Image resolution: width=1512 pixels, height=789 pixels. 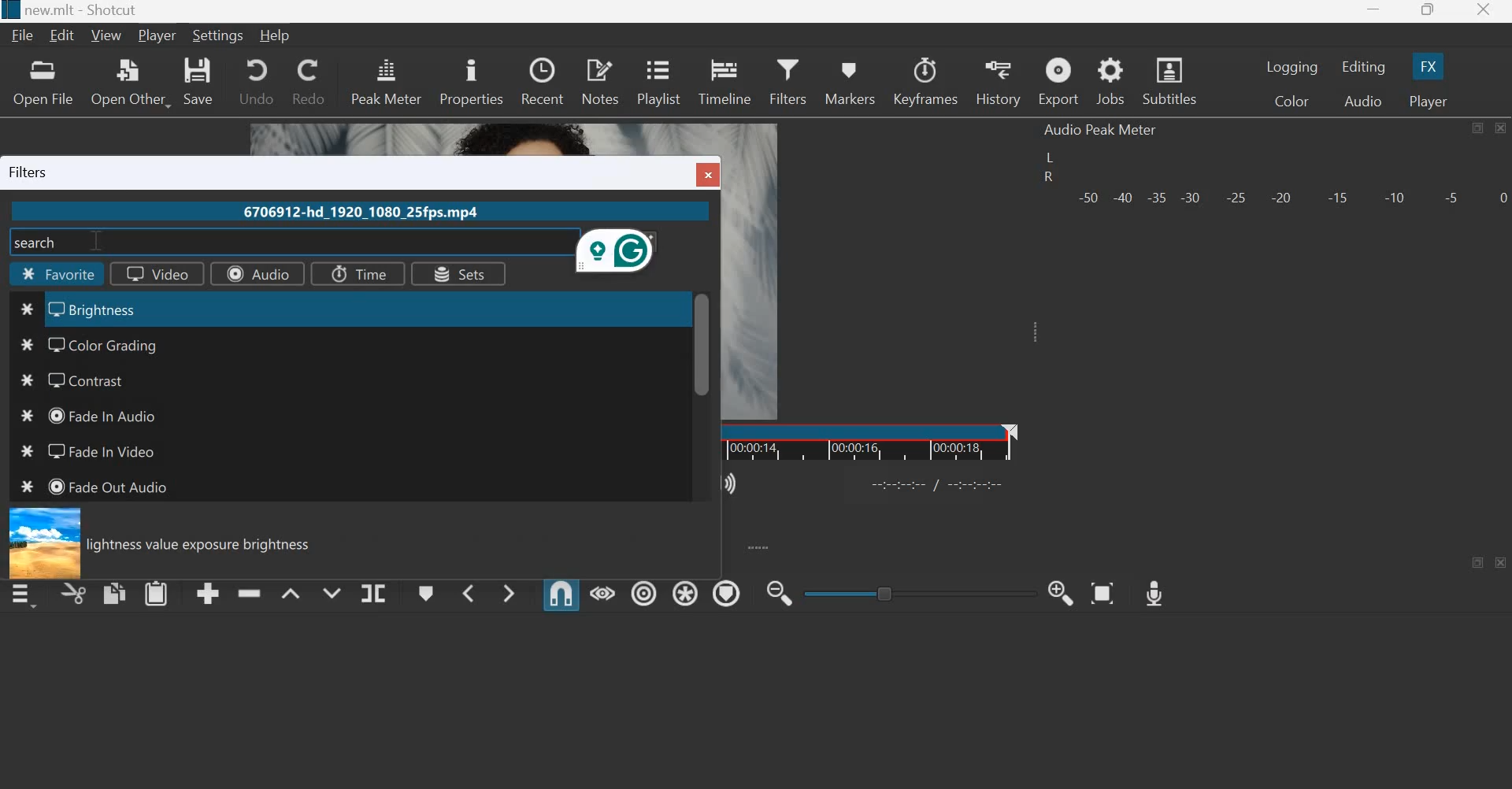 I want to click on , so click(x=25, y=382).